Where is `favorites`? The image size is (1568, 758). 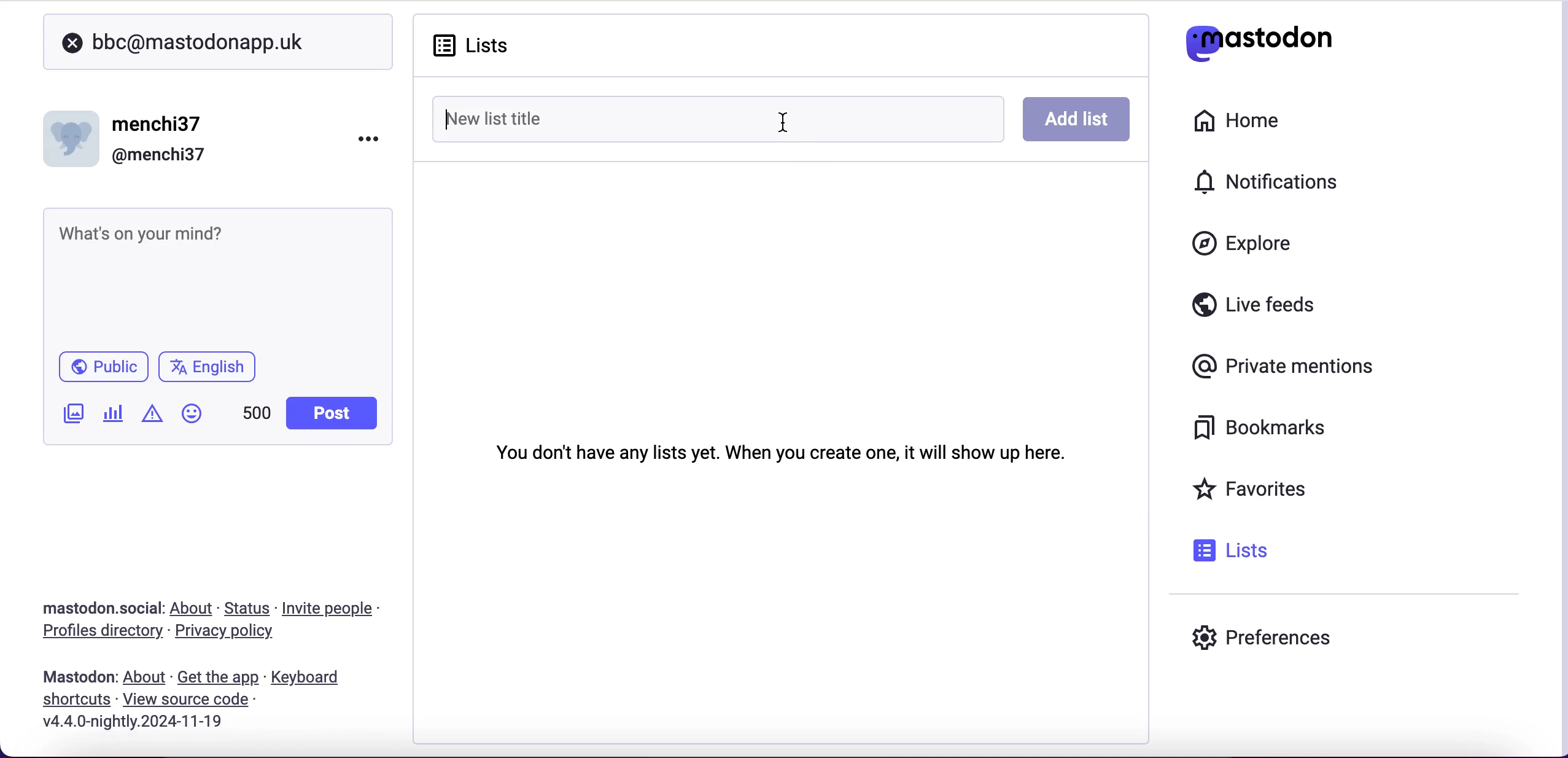 favorites is located at coordinates (1254, 491).